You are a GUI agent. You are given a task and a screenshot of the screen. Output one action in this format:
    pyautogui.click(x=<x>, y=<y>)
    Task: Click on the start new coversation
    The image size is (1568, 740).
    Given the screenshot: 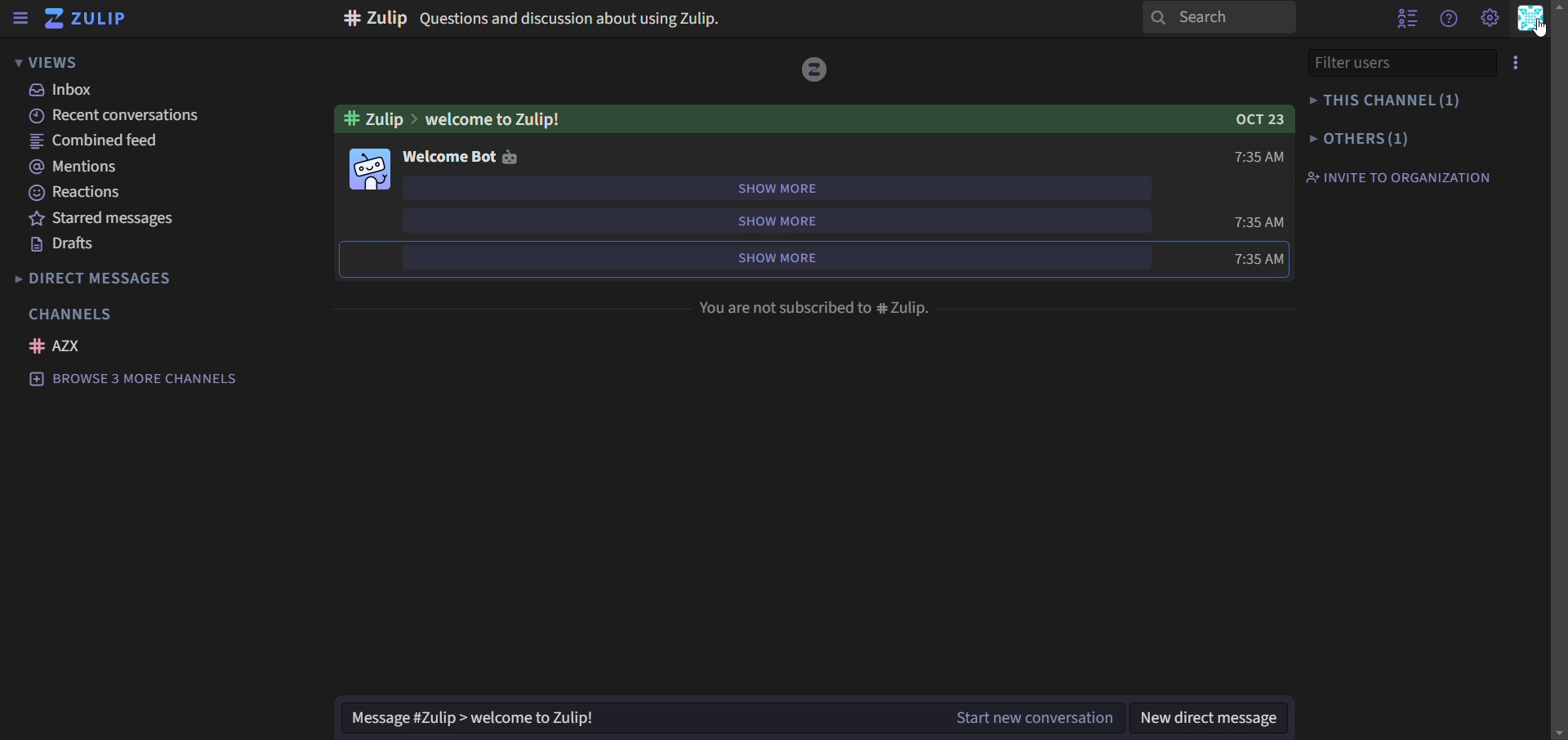 What is the action you would take?
    pyautogui.click(x=1030, y=720)
    